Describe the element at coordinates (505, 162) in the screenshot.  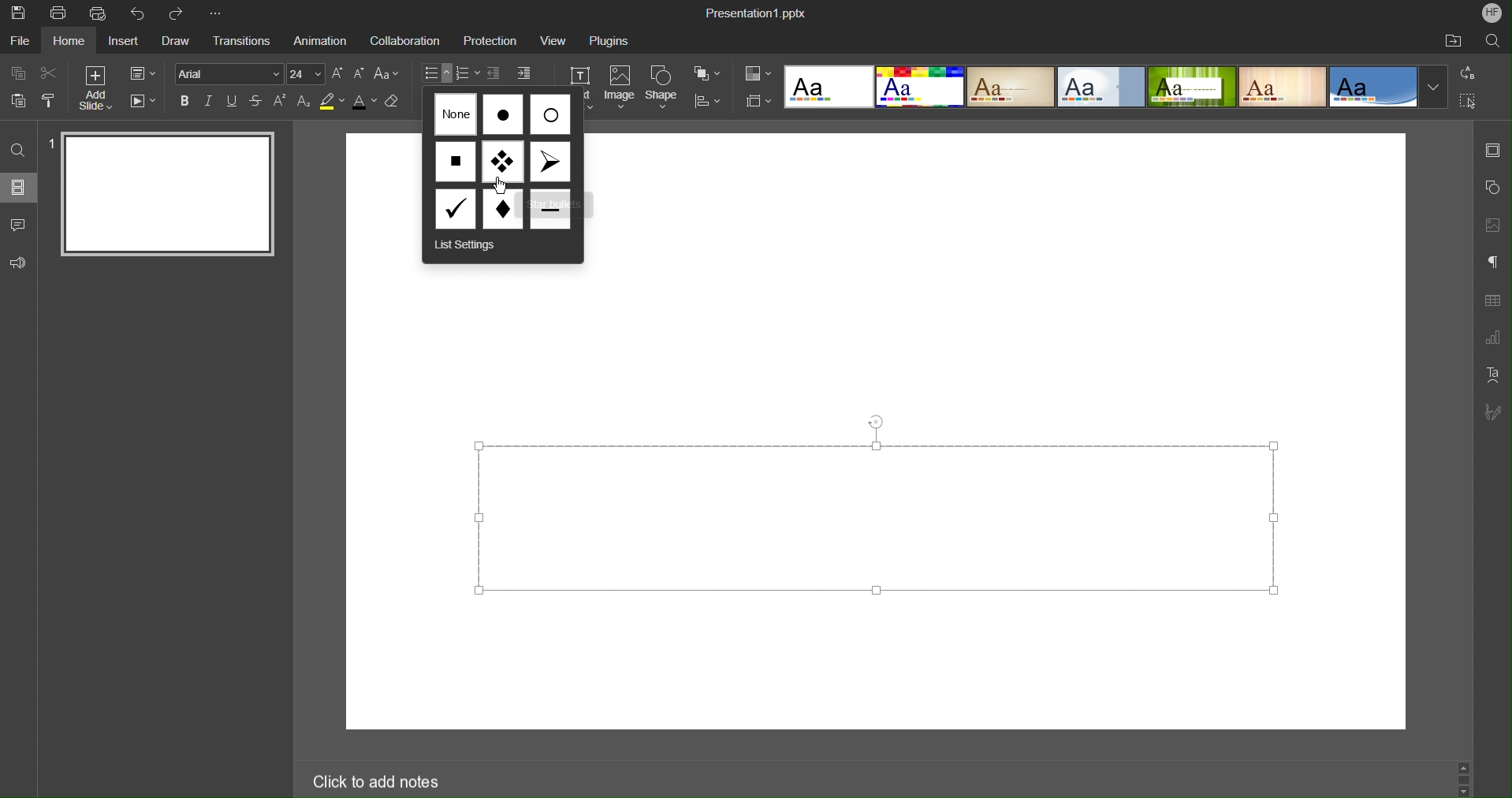
I see `Bullet Options` at that location.